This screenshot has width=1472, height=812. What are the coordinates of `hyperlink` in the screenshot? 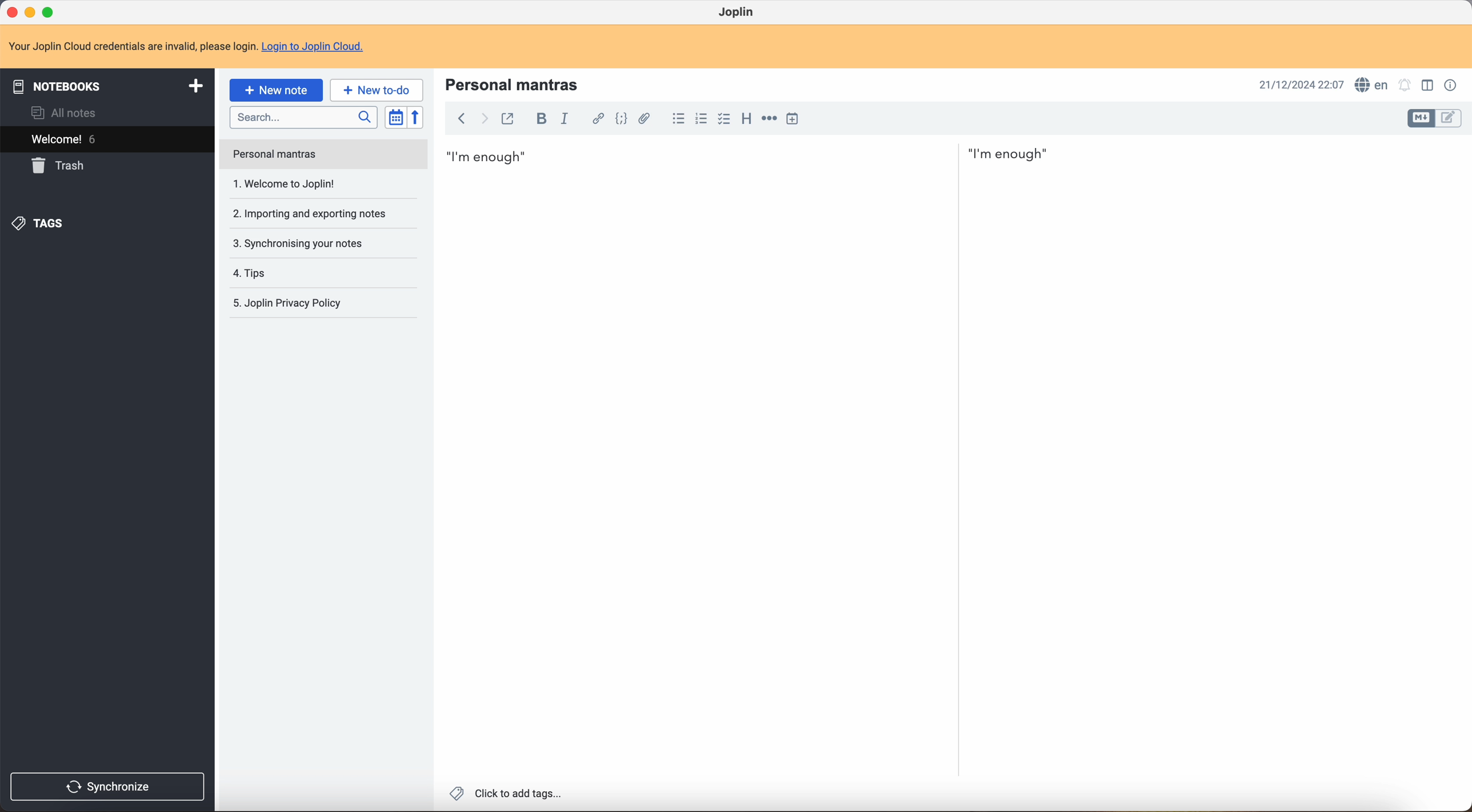 It's located at (597, 119).